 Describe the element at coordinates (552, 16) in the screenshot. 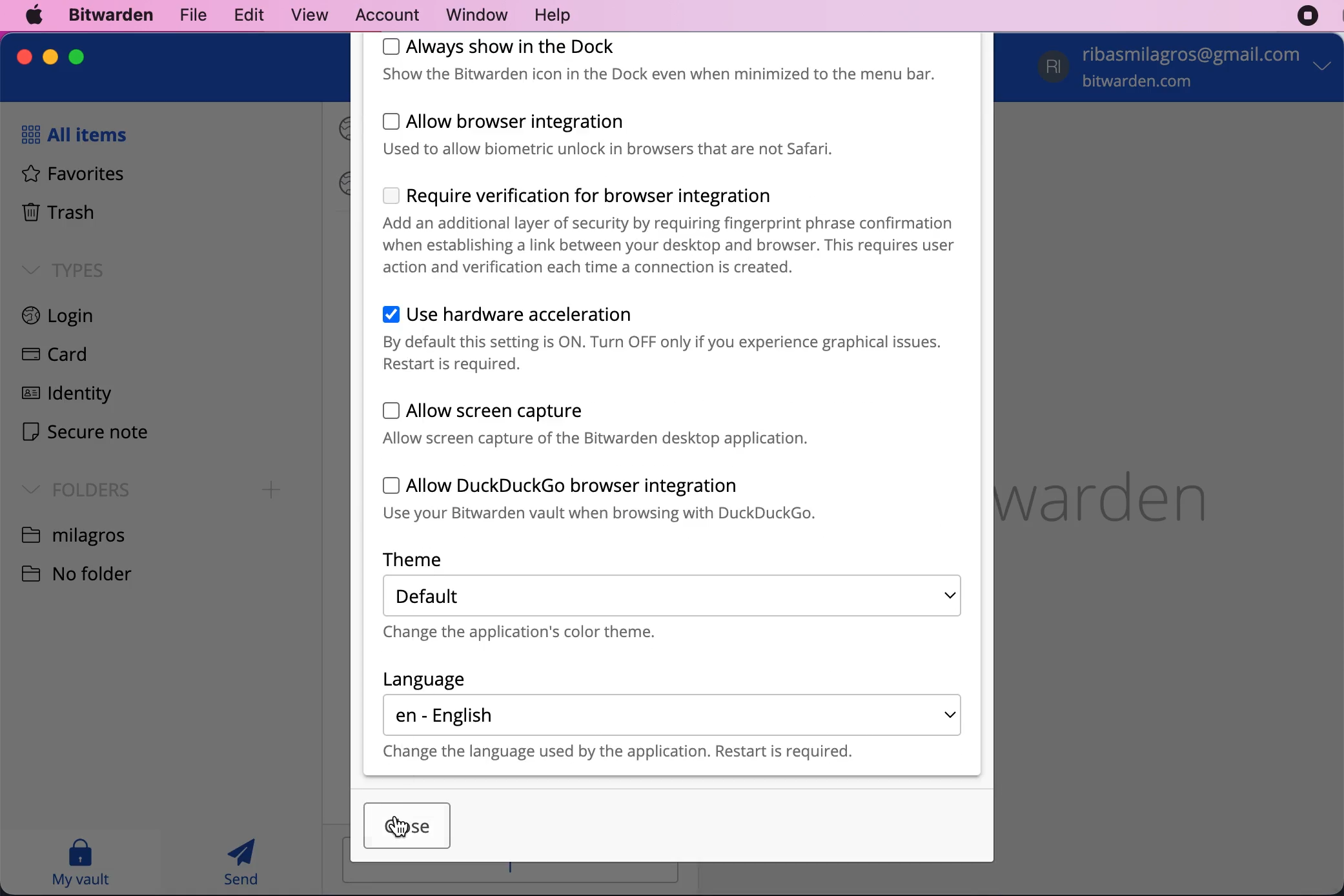

I see `help` at that location.